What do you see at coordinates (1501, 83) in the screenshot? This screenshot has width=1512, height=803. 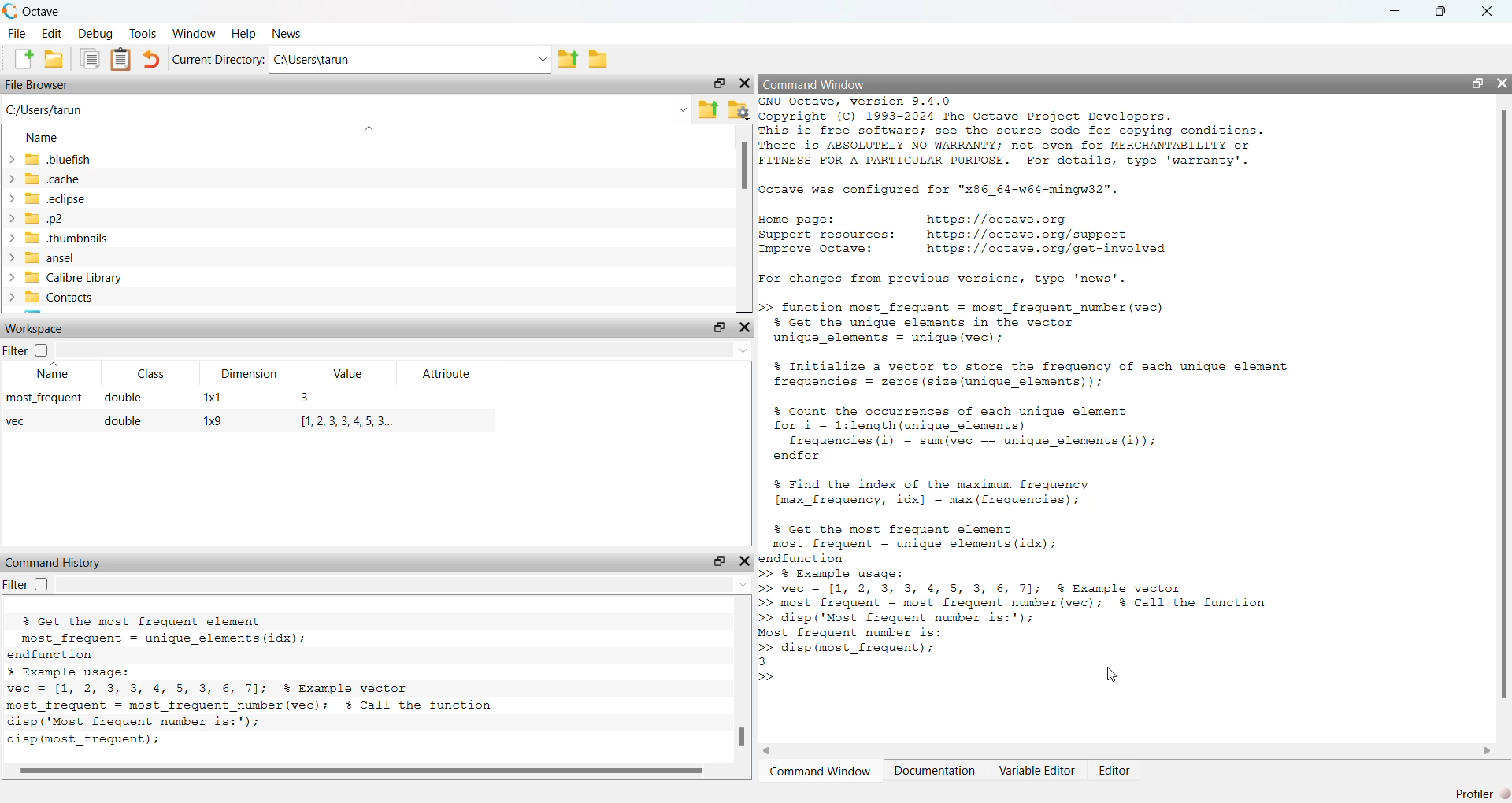 I see `Hide Widget` at bounding box center [1501, 83].